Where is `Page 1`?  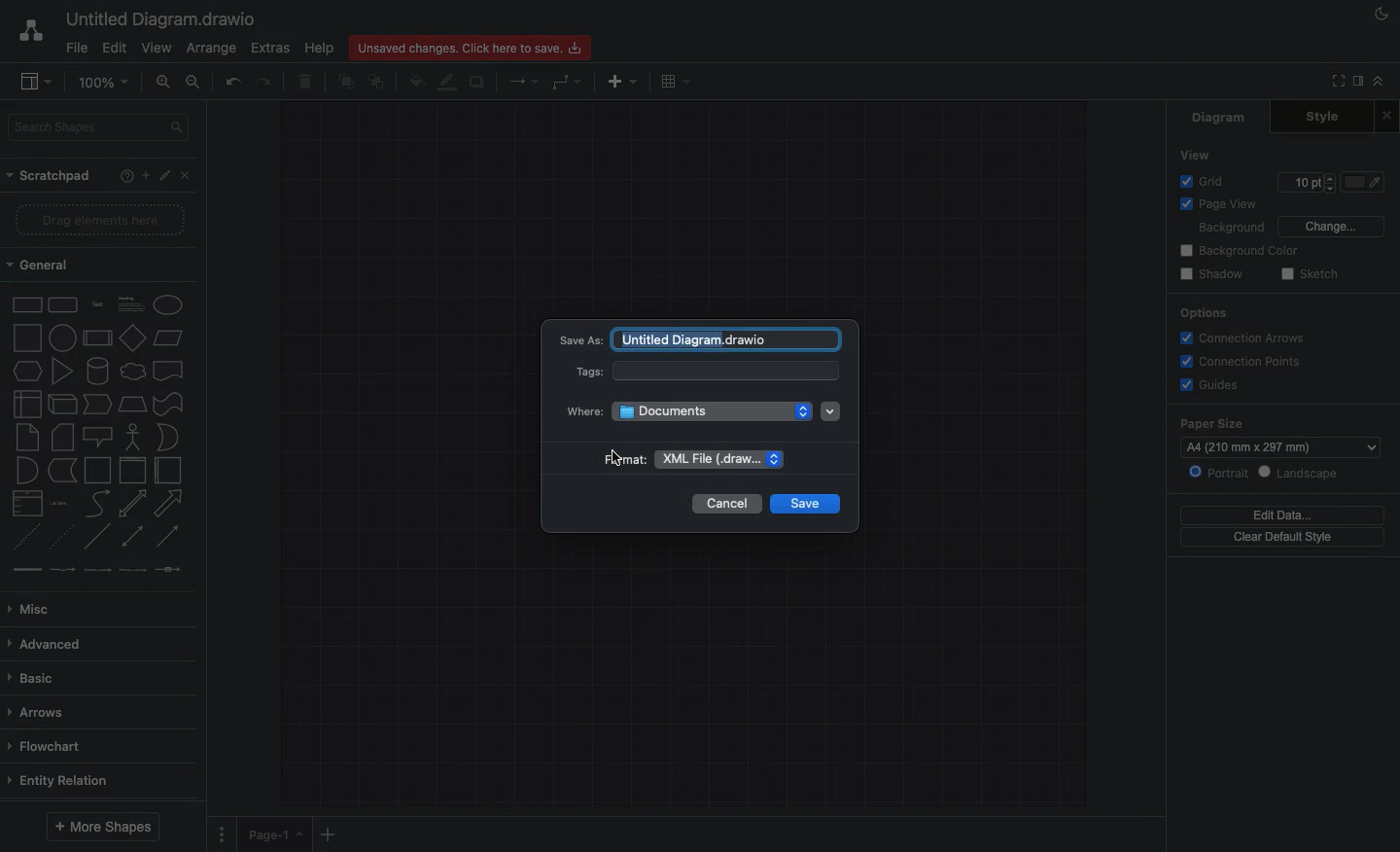 Page 1 is located at coordinates (274, 836).